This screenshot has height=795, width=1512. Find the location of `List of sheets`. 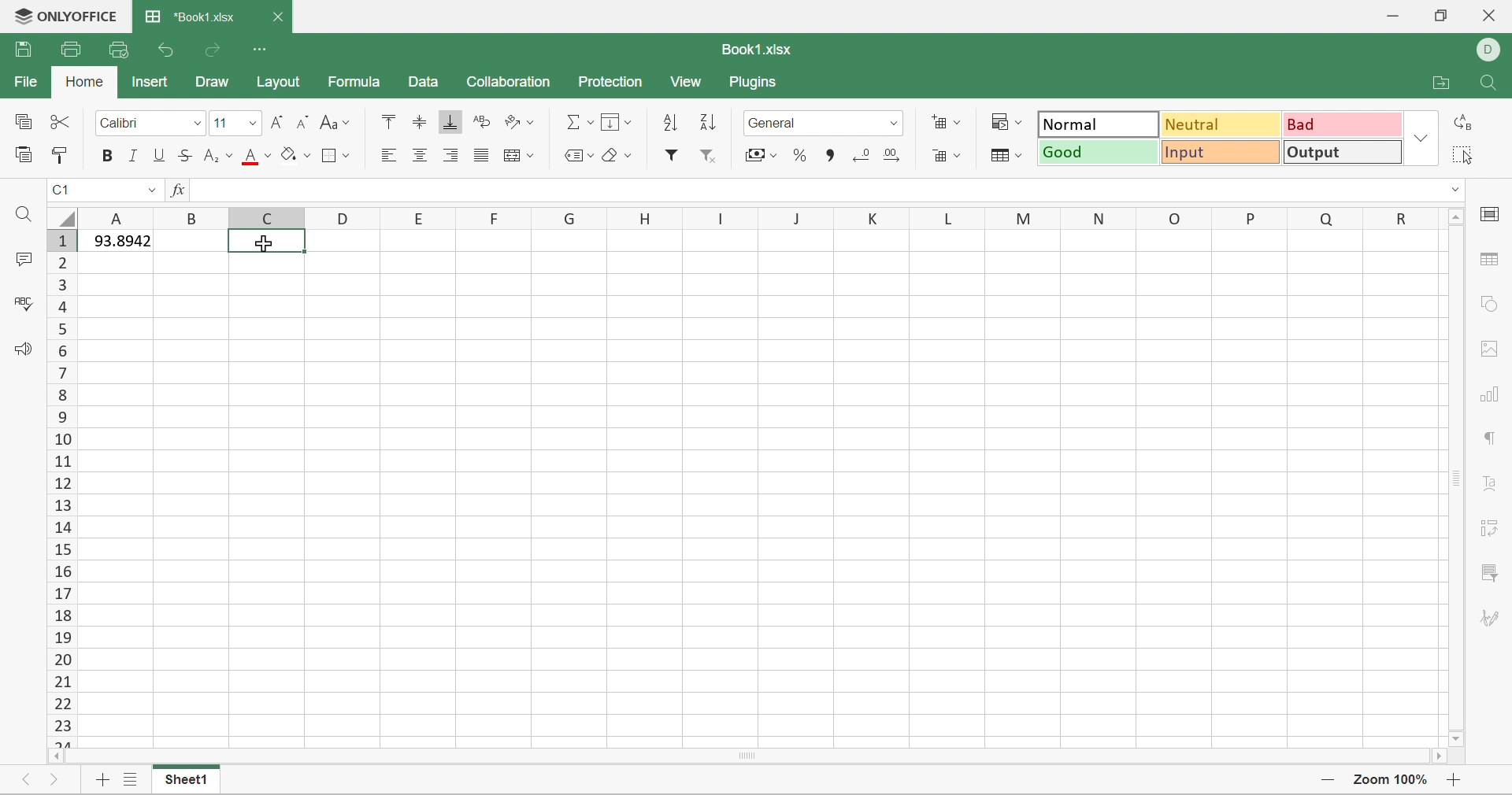

List of sheets is located at coordinates (128, 780).